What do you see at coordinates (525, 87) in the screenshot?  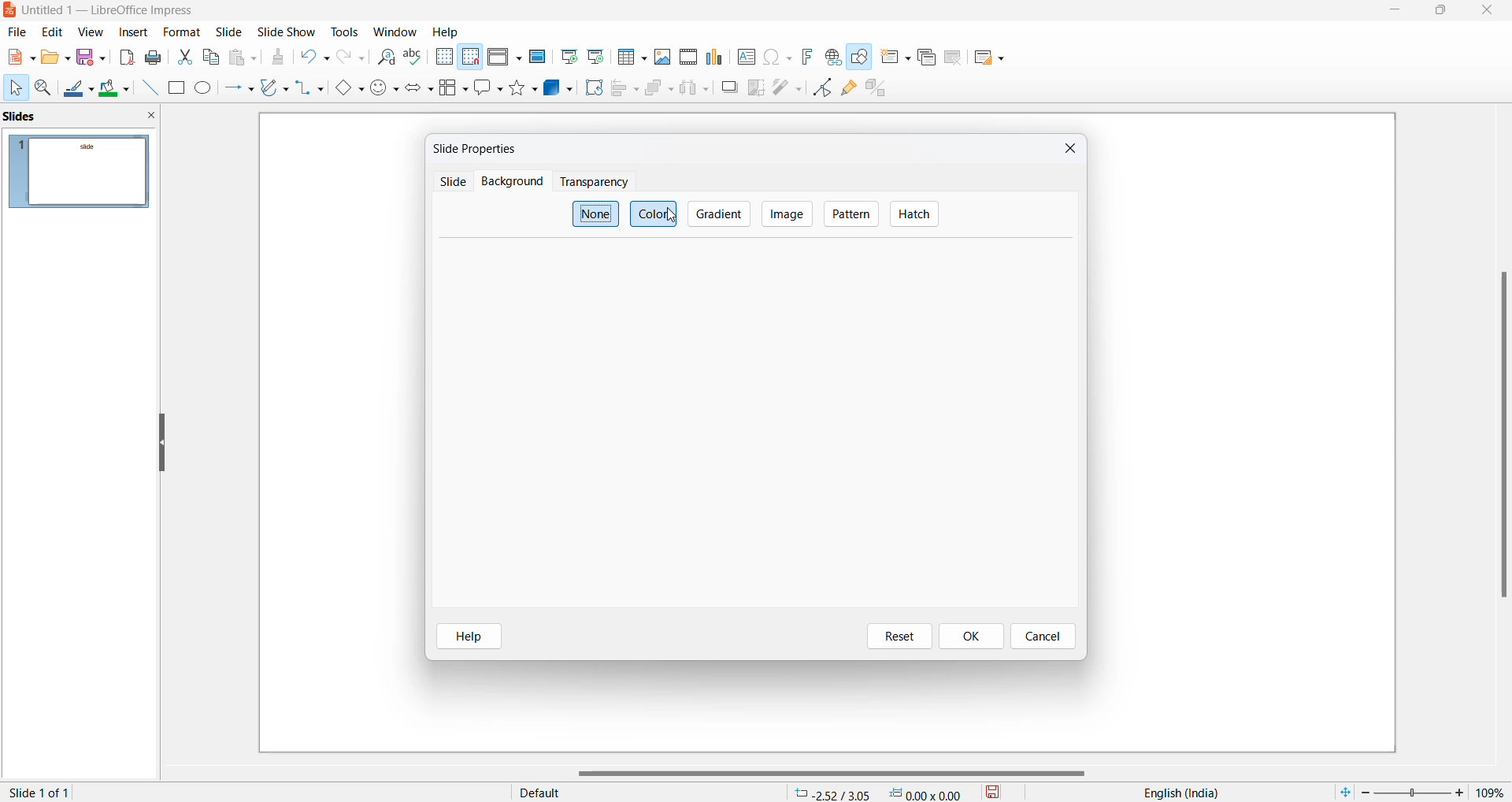 I see `shapes` at bounding box center [525, 87].